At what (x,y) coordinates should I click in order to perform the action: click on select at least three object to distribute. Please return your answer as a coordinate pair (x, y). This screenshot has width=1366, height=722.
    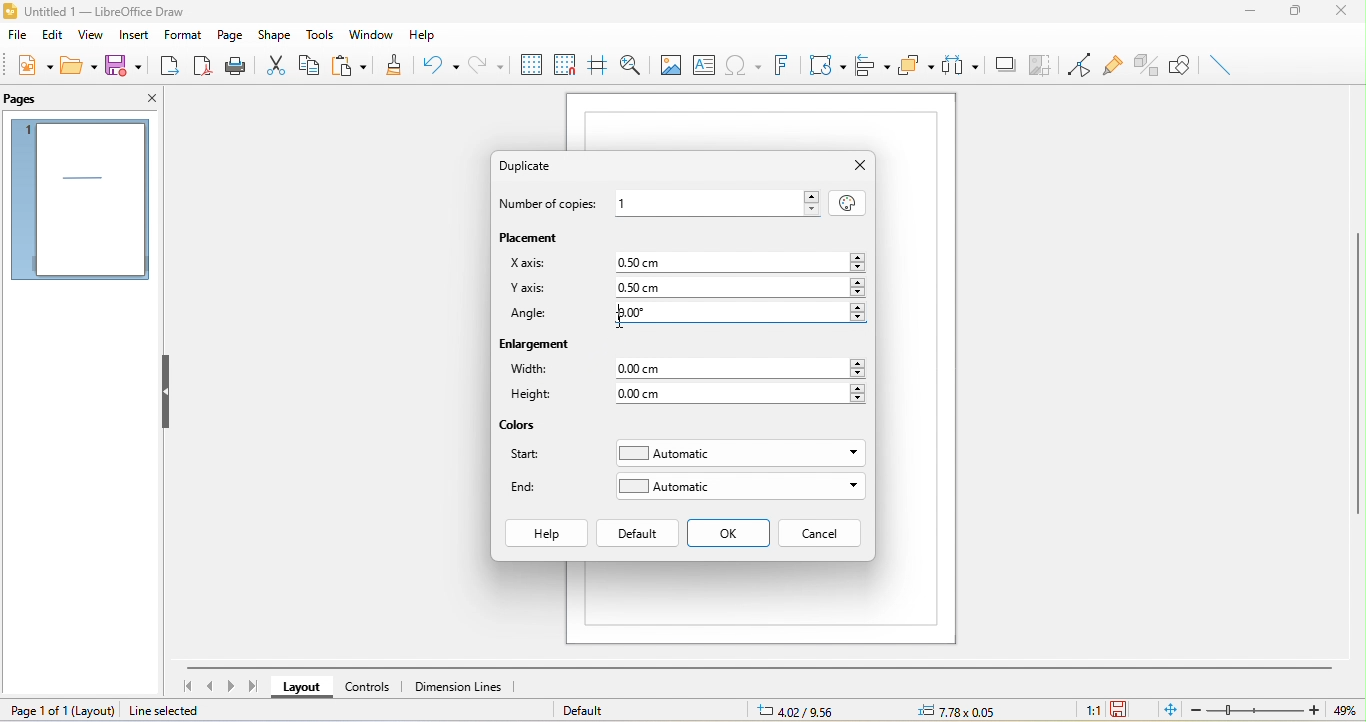
    Looking at the image, I should click on (962, 68).